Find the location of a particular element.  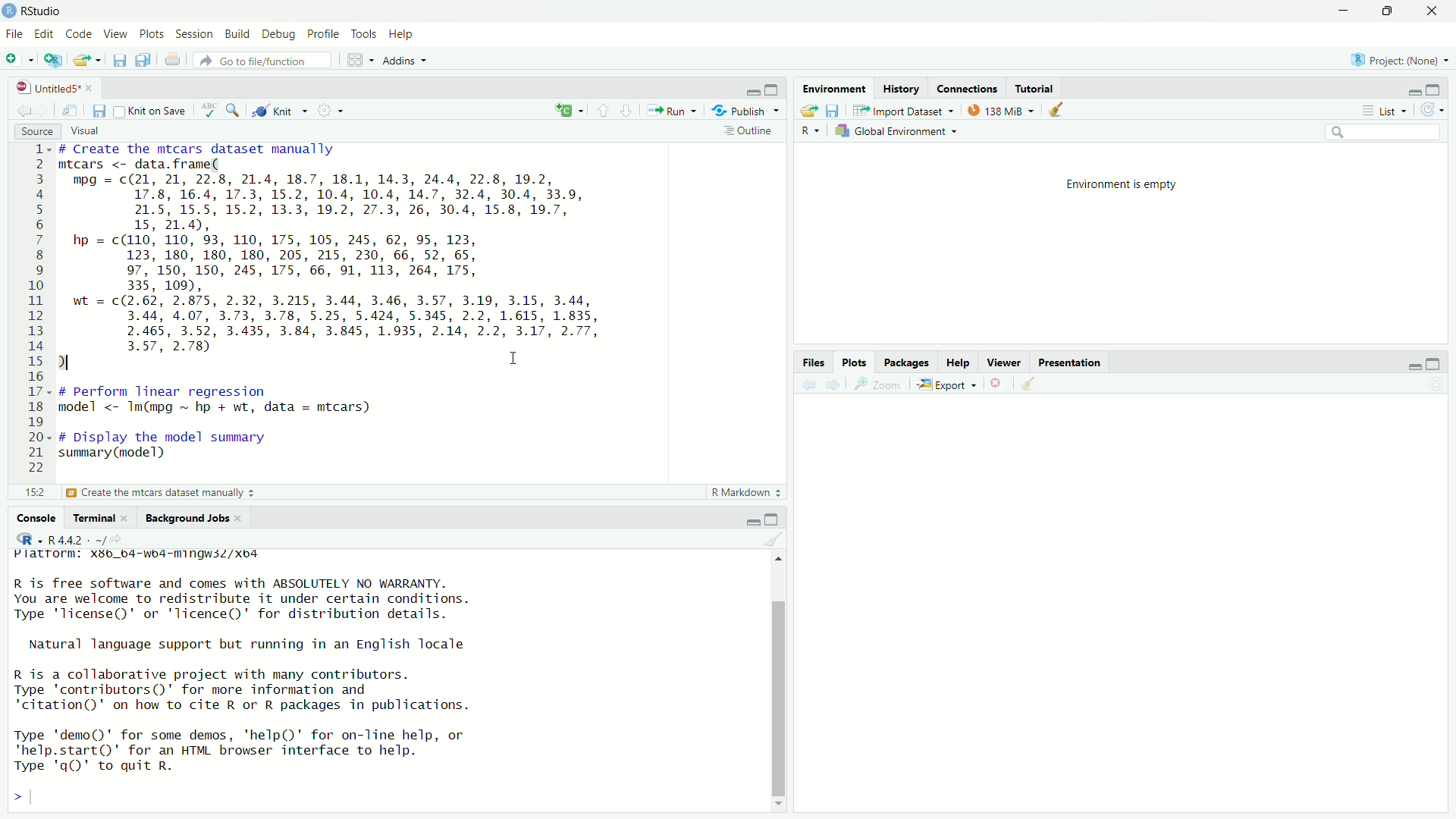

create project is located at coordinates (54, 61).